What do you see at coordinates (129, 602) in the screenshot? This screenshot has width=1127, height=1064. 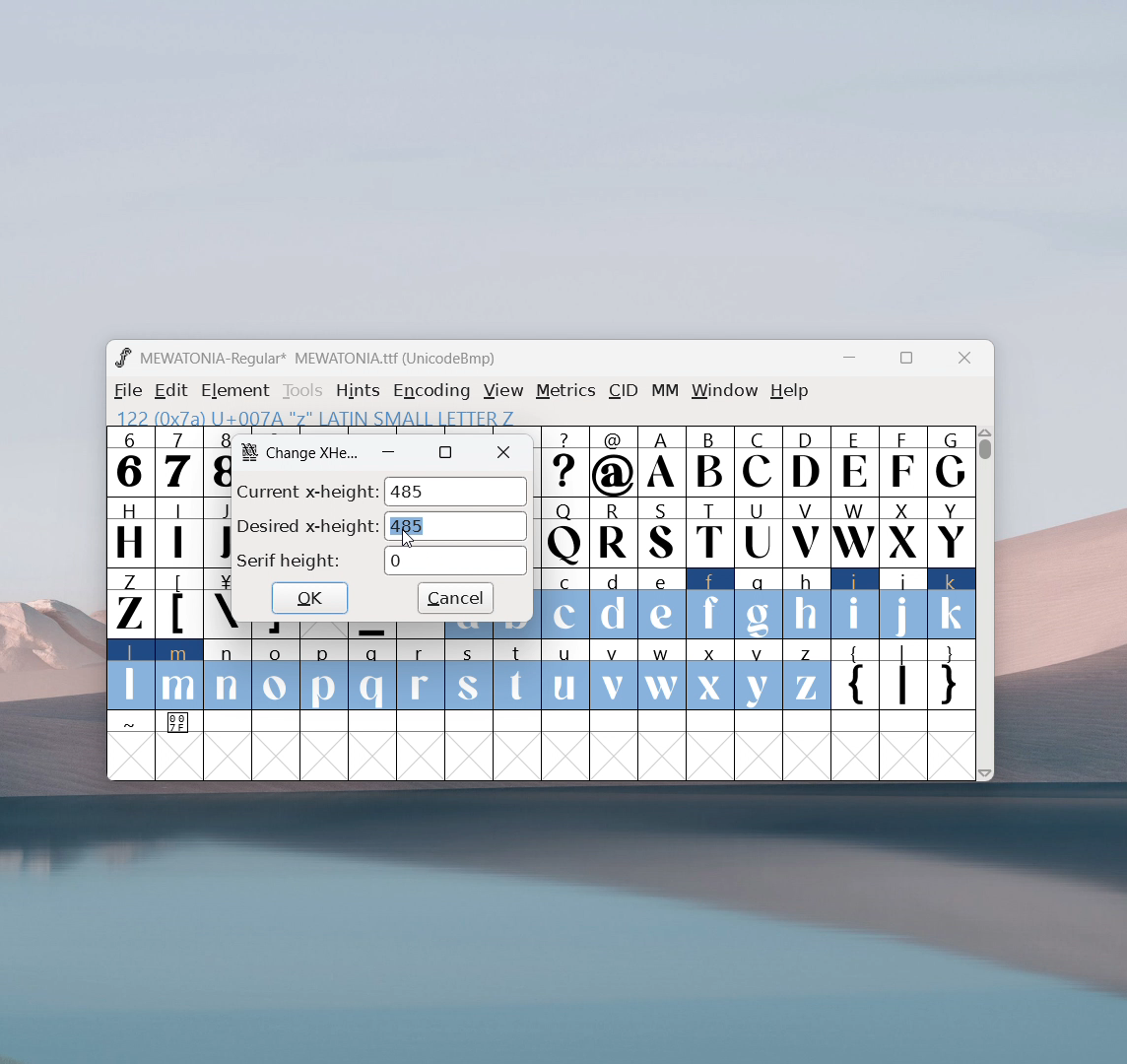 I see `Z` at bounding box center [129, 602].